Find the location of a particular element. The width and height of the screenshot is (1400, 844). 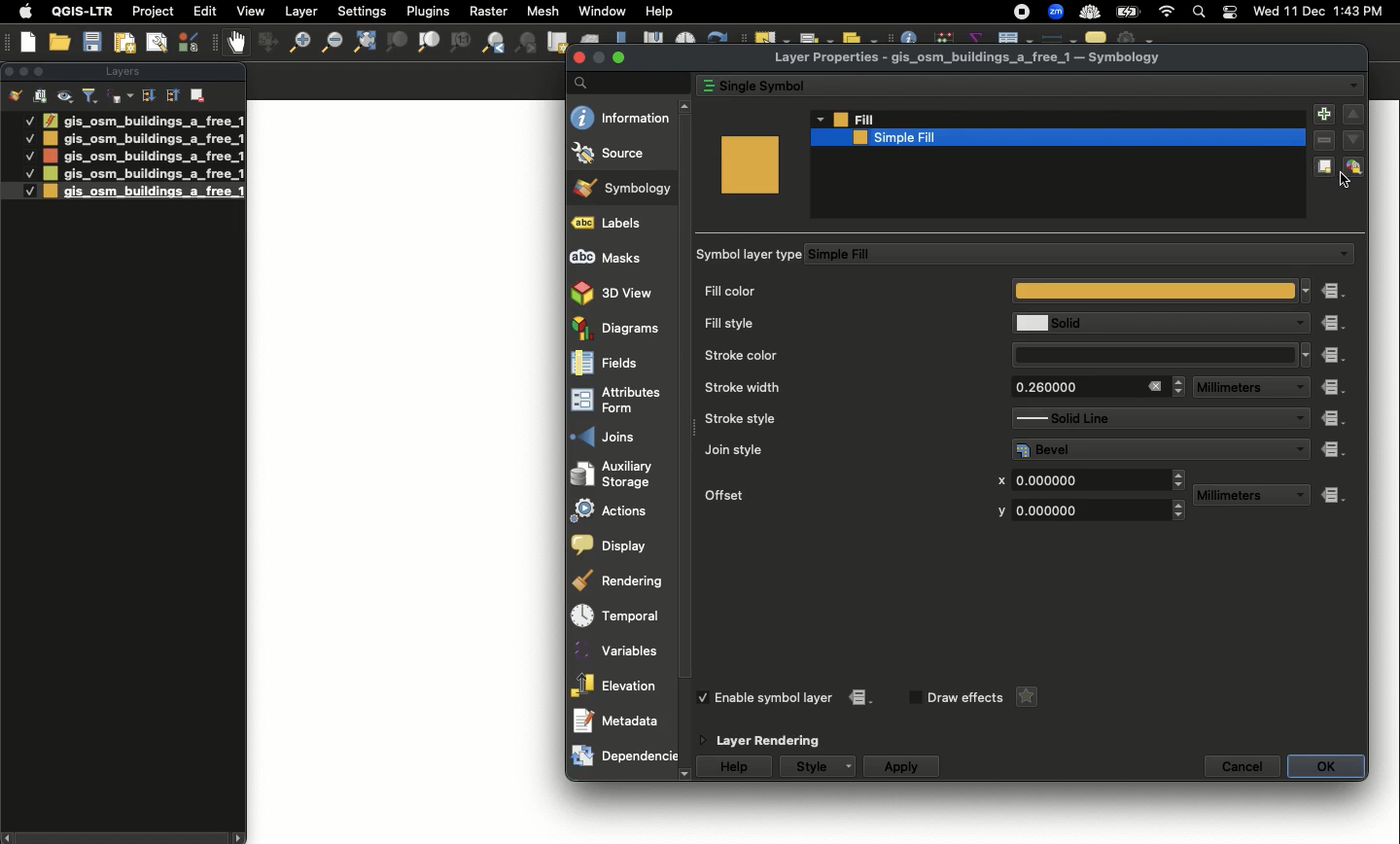

Color is located at coordinates (750, 164).